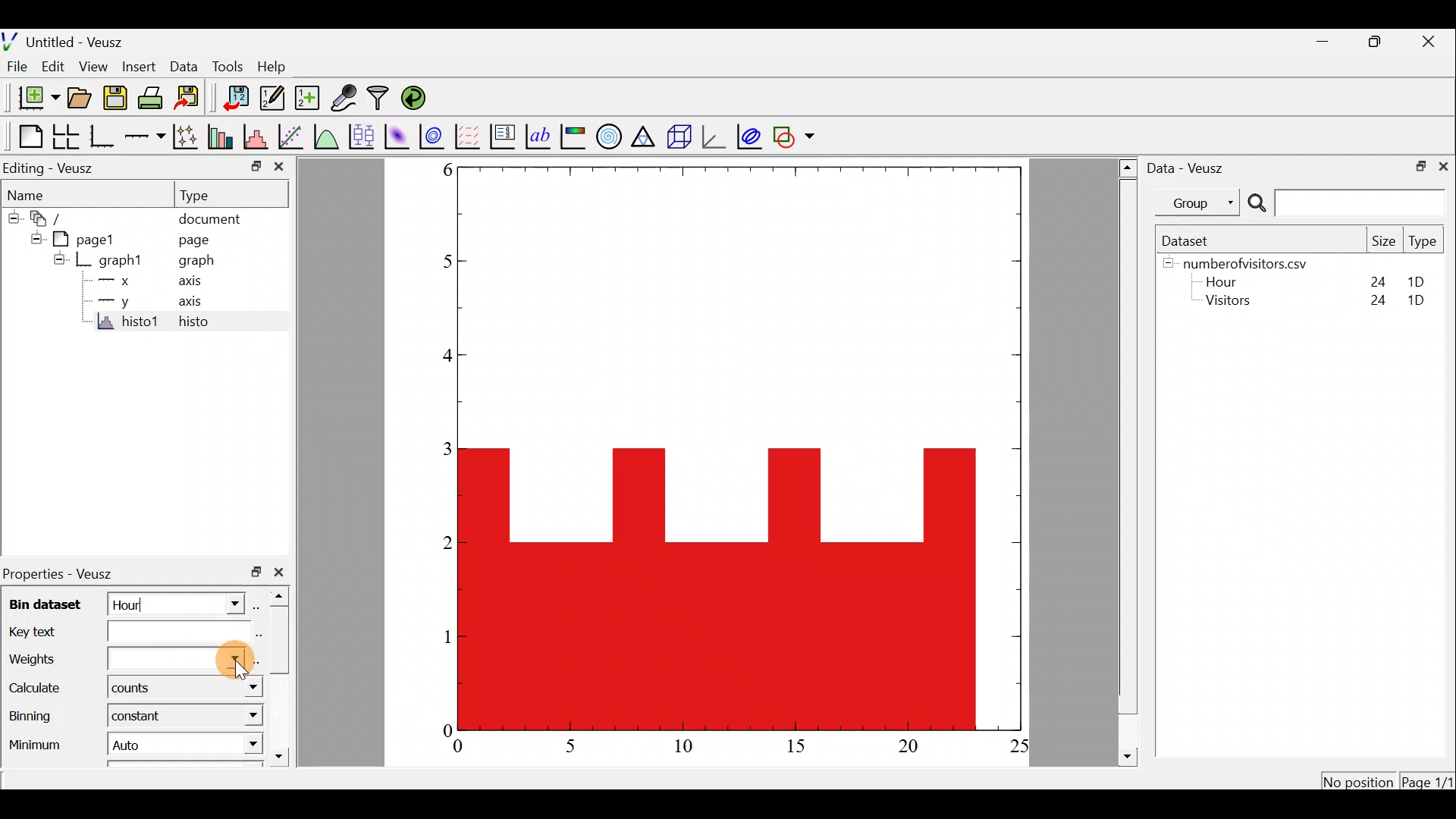 The width and height of the screenshot is (1456, 819). I want to click on 3d graph, so click(717, 136).